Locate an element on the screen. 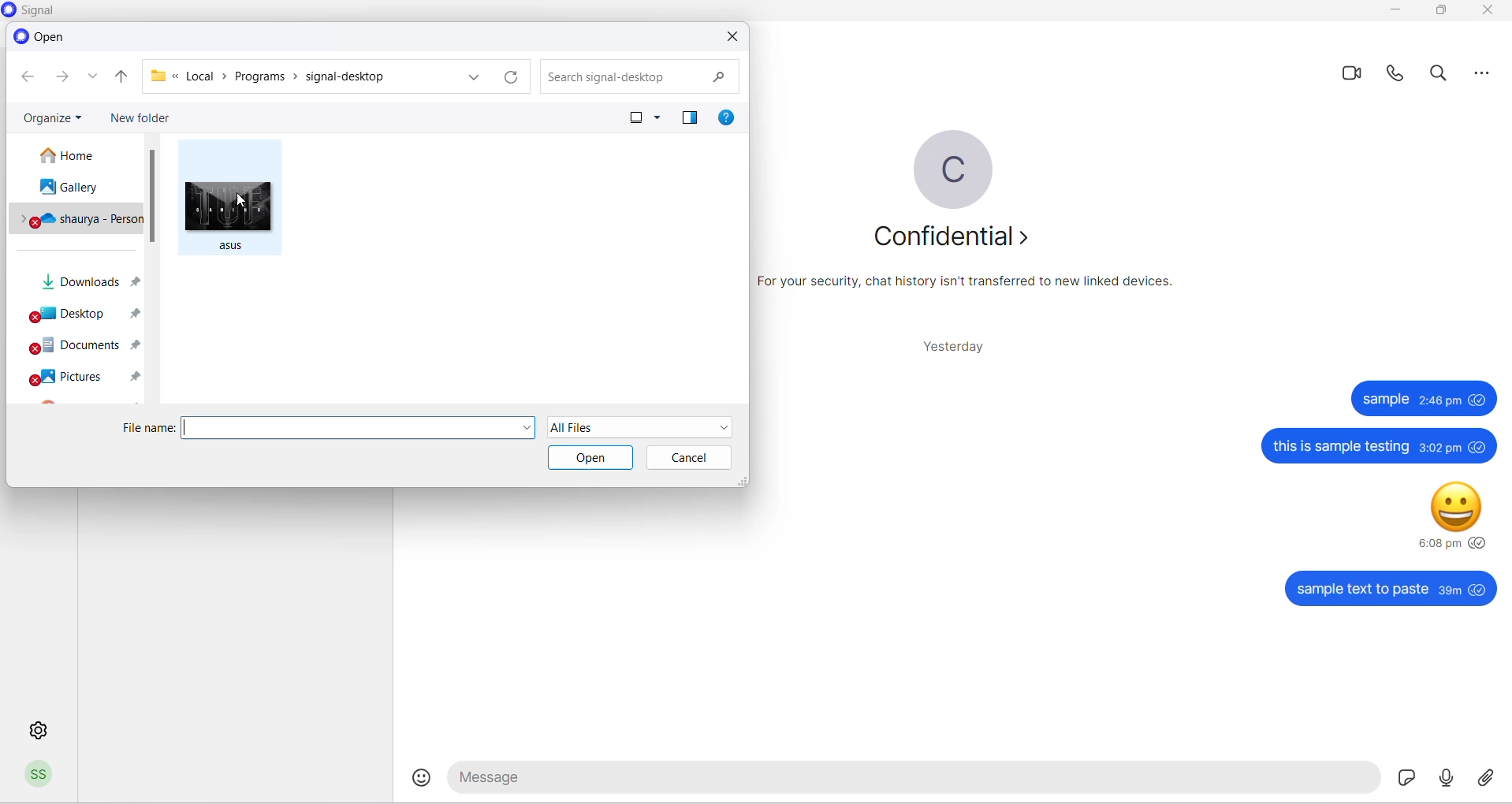  file name heading is located at coordinates (150, 429).